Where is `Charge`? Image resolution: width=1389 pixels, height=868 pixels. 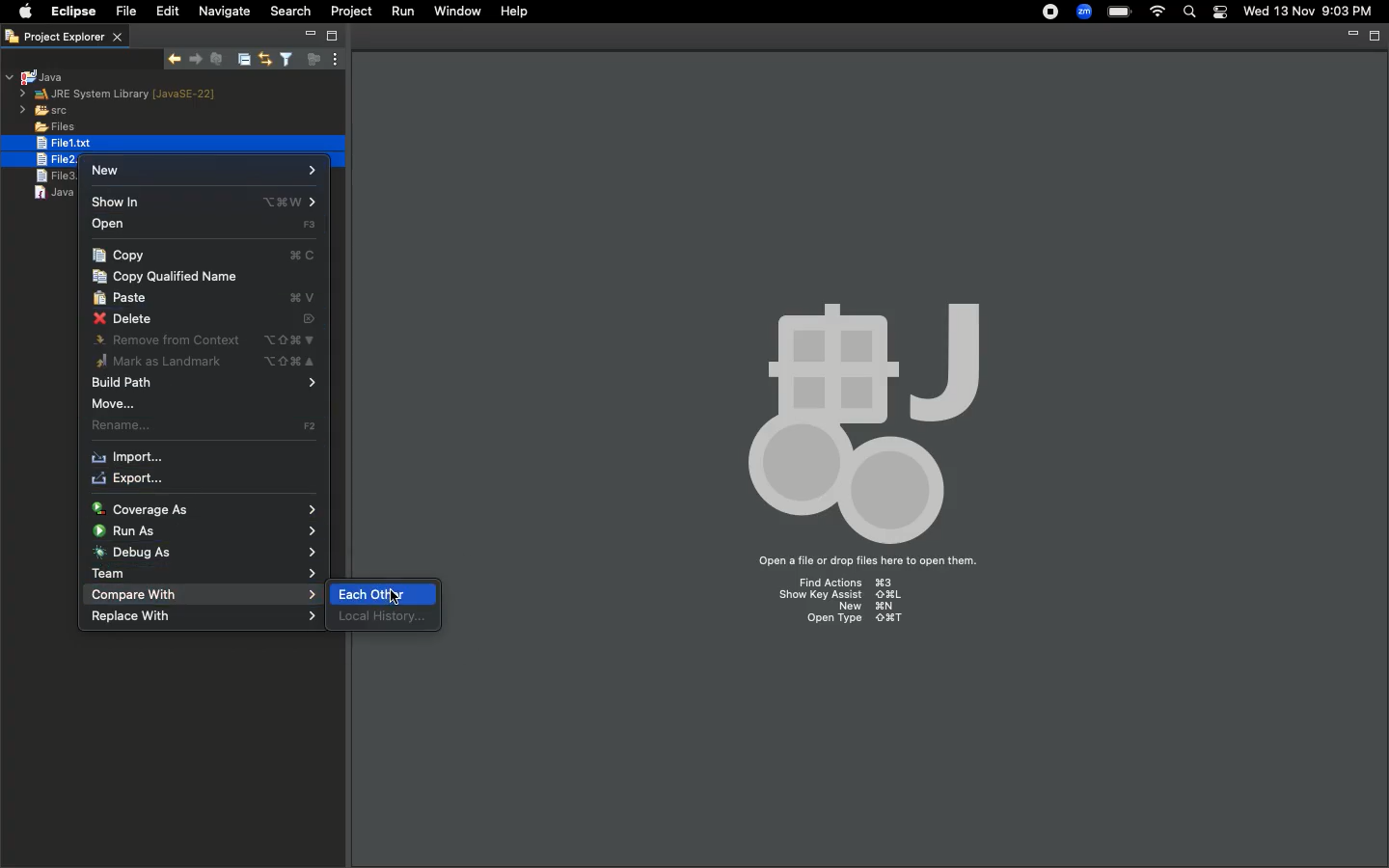 Charge is located at coordinates (1118, 12).